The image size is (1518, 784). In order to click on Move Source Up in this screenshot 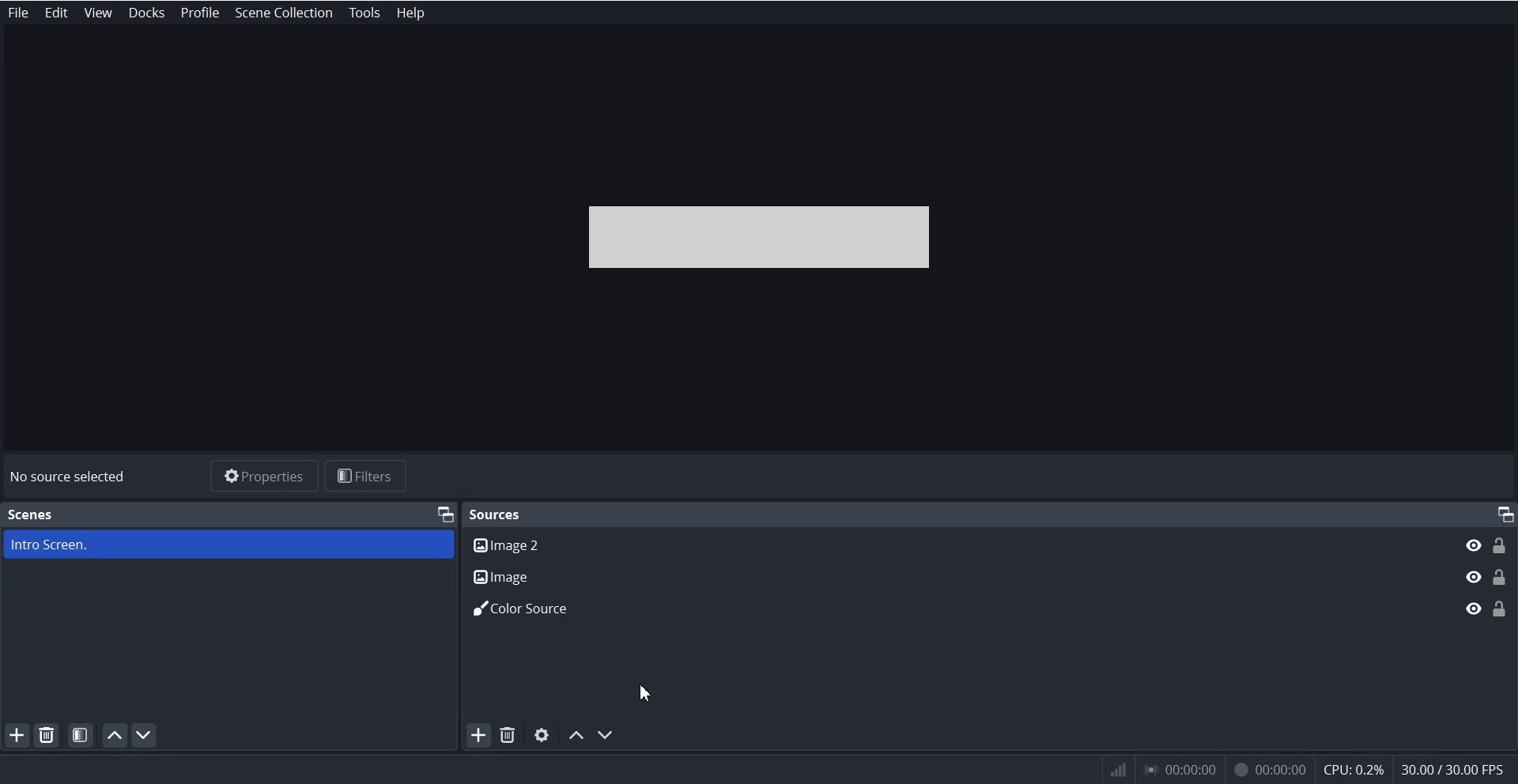, I will do `click(576, 735)`.